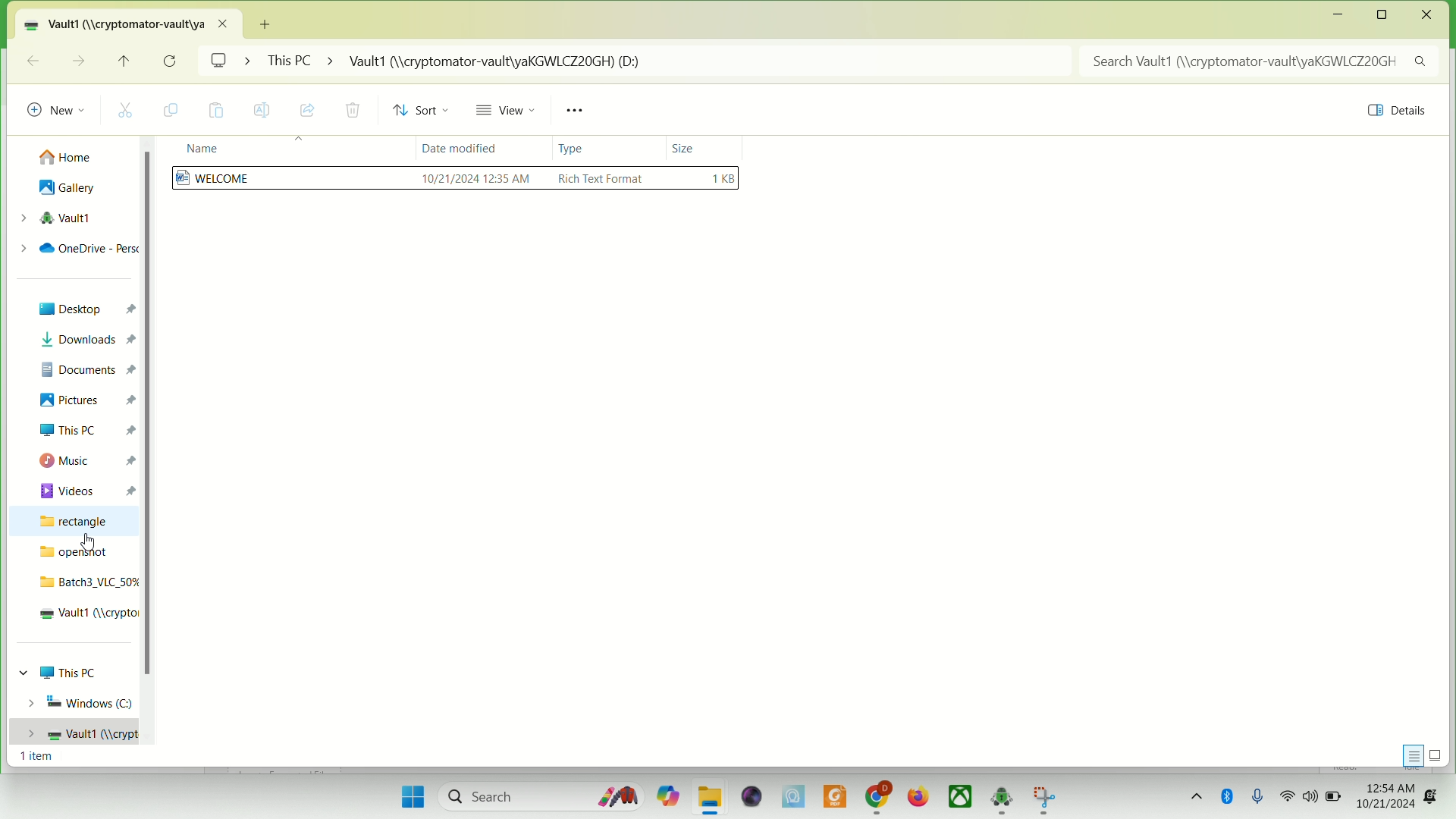 This screenshot has height=819, width=1456. What do you see at coordinates (198, 149) in the screenshot?
I see `name` at bounding box center [198, 149].